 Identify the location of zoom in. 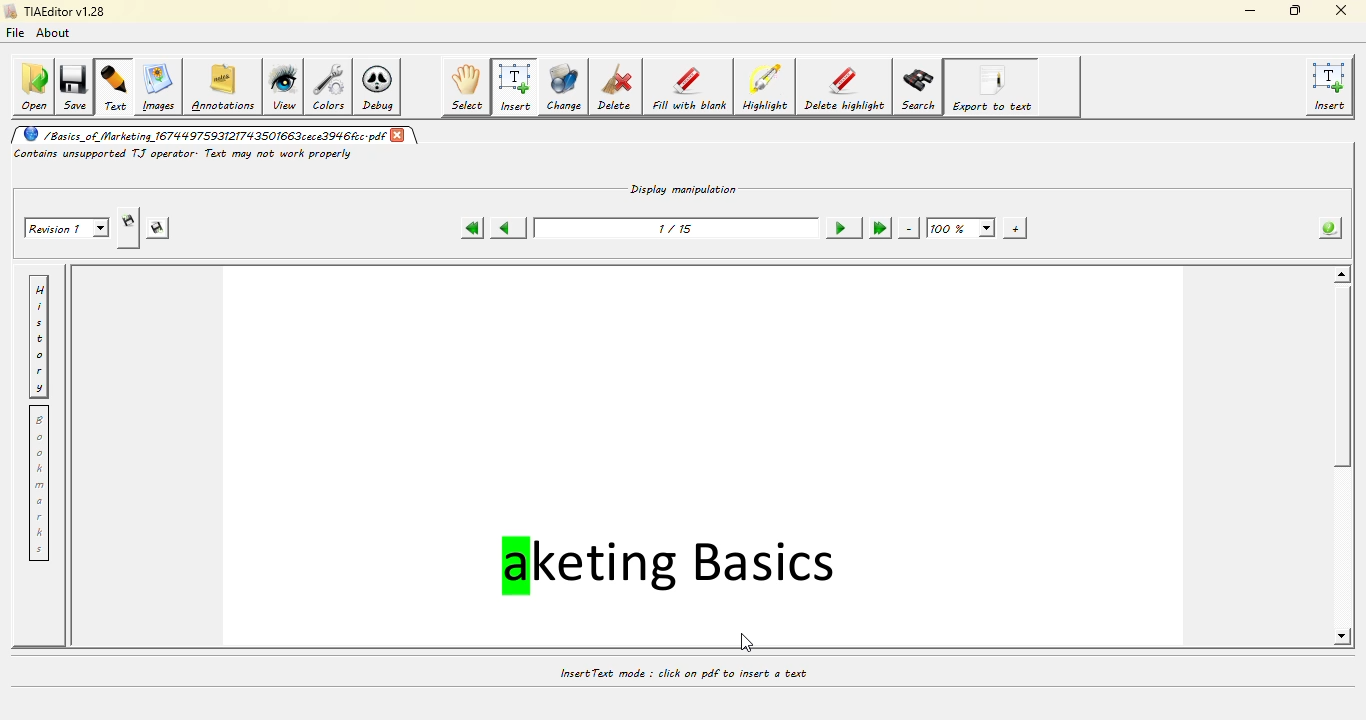
(1012, 227).